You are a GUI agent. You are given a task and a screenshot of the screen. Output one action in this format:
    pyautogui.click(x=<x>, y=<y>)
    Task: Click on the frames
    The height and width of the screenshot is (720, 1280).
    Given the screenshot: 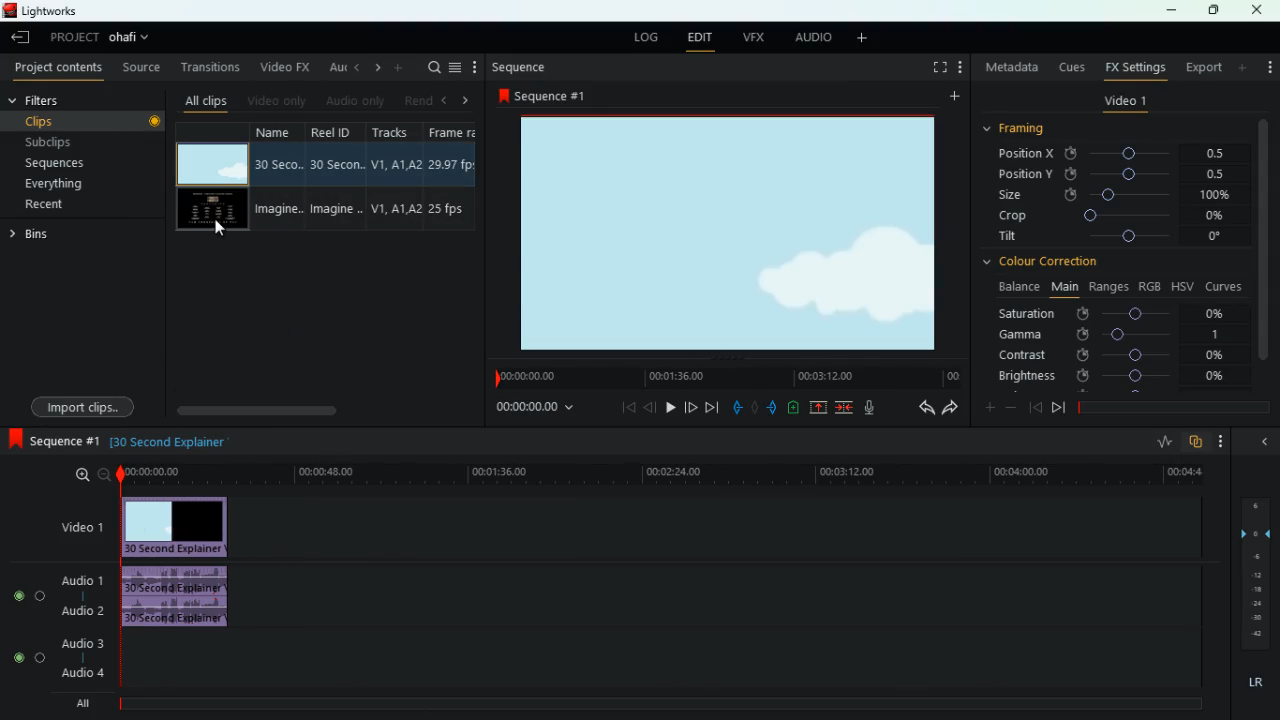 What is the action you would take?
    pyautogui.click(x=1253, y=574)
    